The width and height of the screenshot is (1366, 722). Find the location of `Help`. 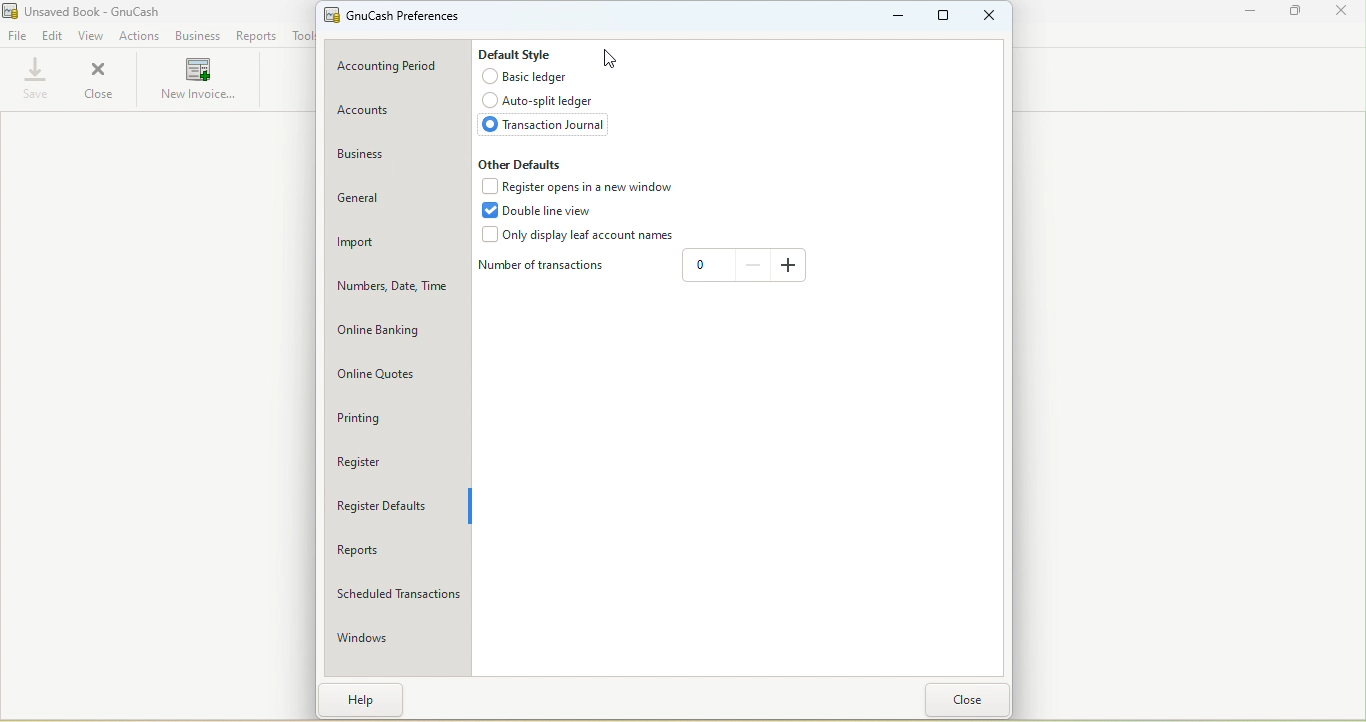

Help is located at coordinates (362, 701).